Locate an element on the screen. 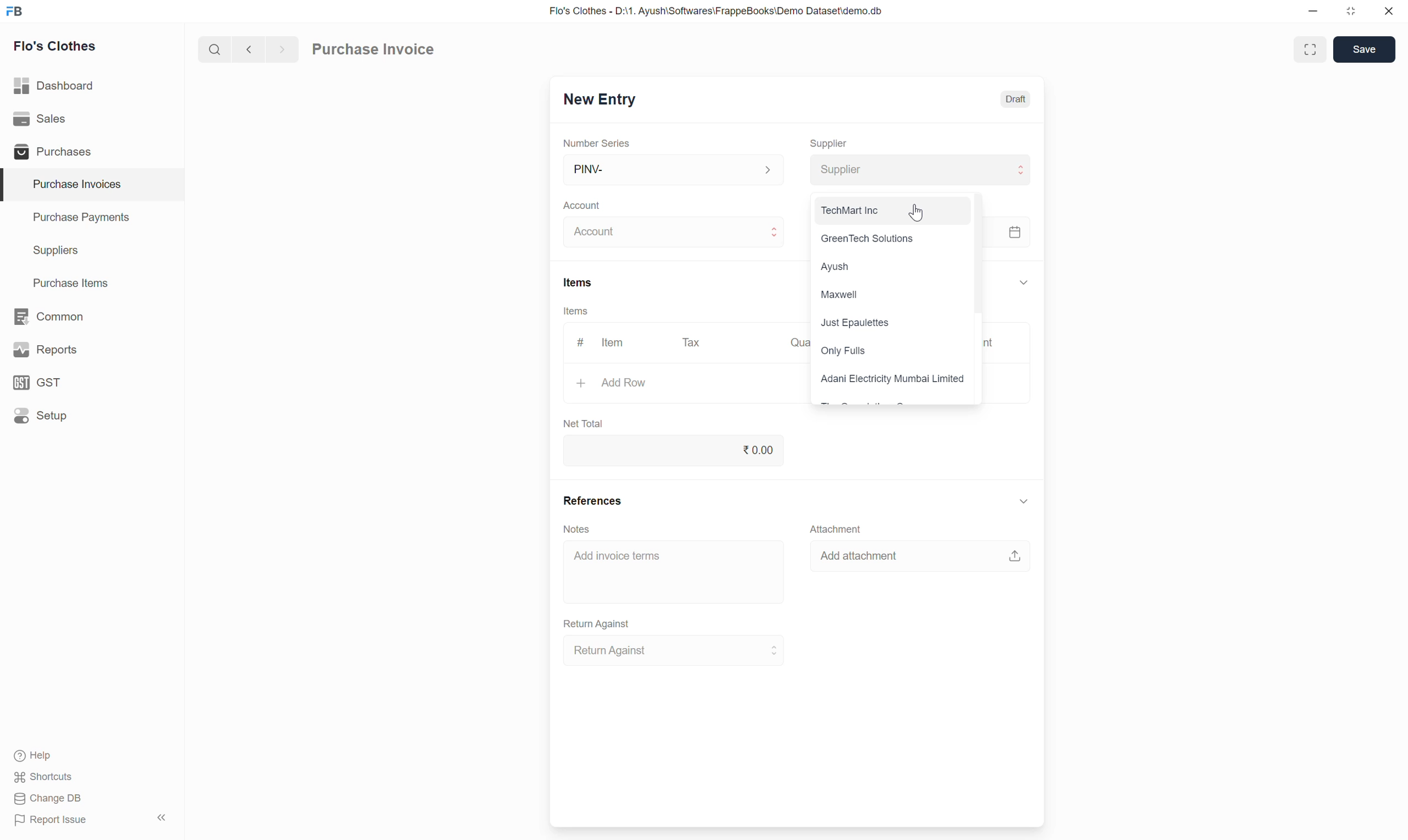 This screenshot has width=1408, height=840. Add invoice terms is located at coordinates (675, 571).